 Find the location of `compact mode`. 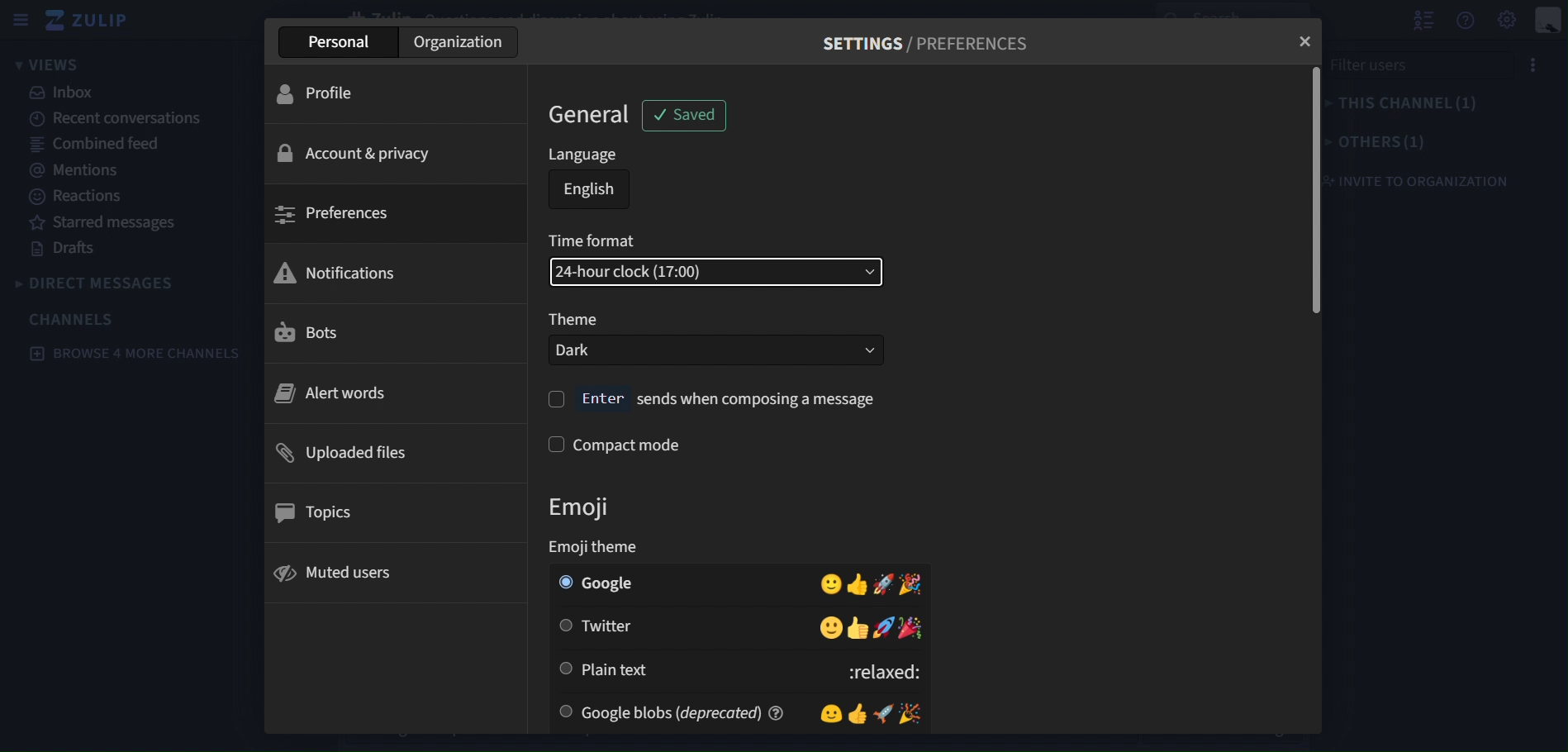

compact mode is located at coordinates (628, 442).